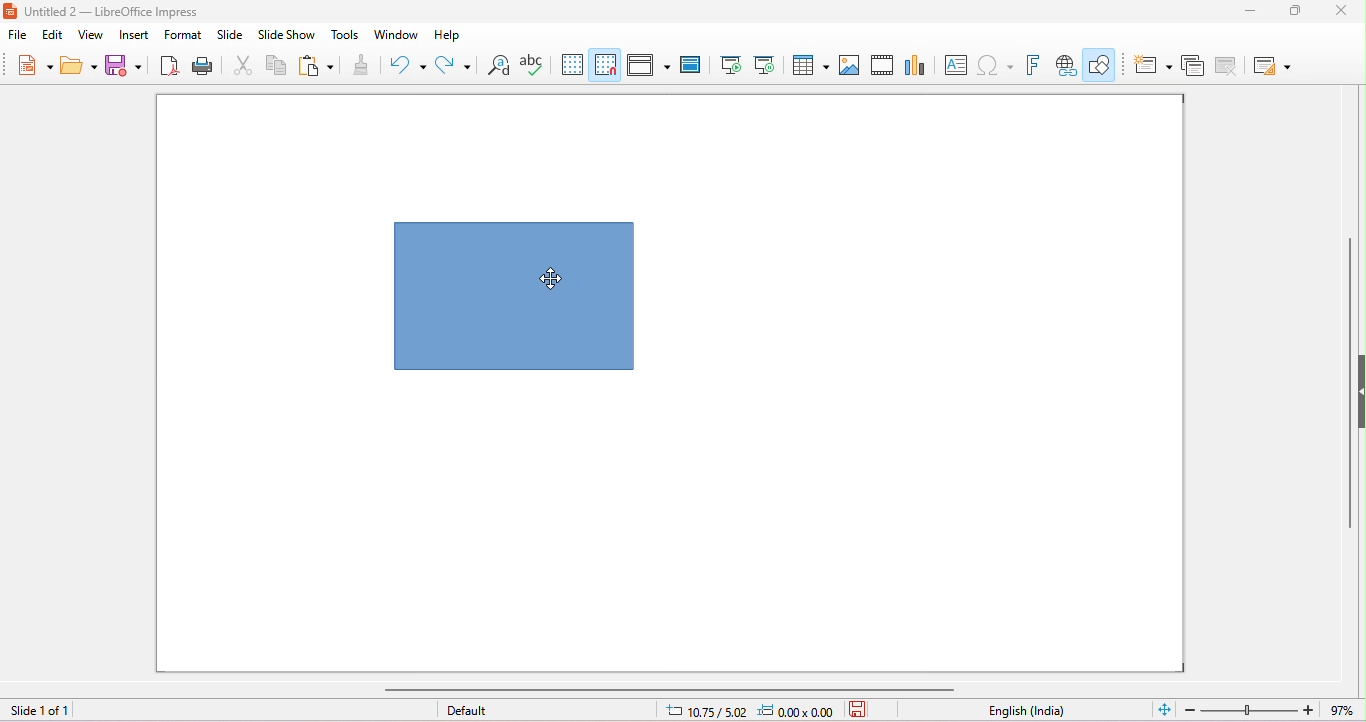 The height and width of the screenshot is (722, 1366). Describe the element at coordinates (1032, 64) in the screenshot. I see `insert fontwork text` at that location.